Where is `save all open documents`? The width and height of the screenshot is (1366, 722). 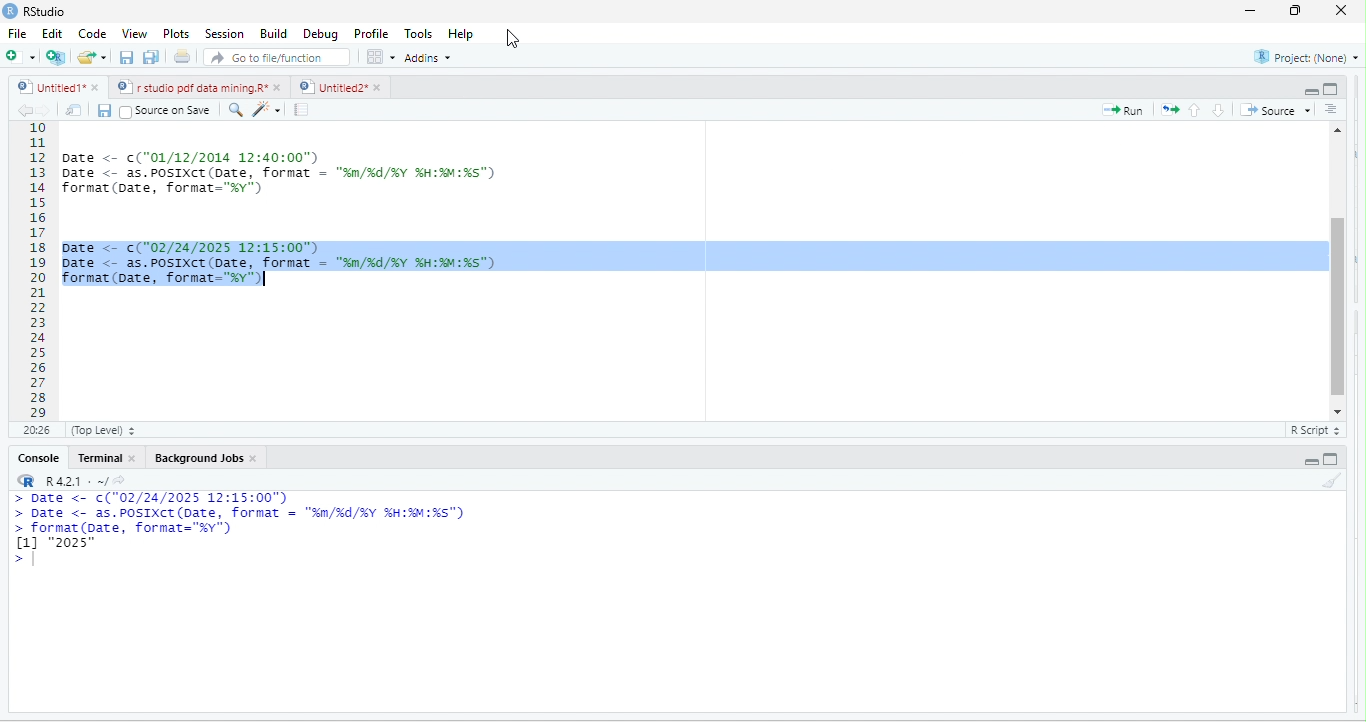
save all open documents is located at coordinates (150, 57).